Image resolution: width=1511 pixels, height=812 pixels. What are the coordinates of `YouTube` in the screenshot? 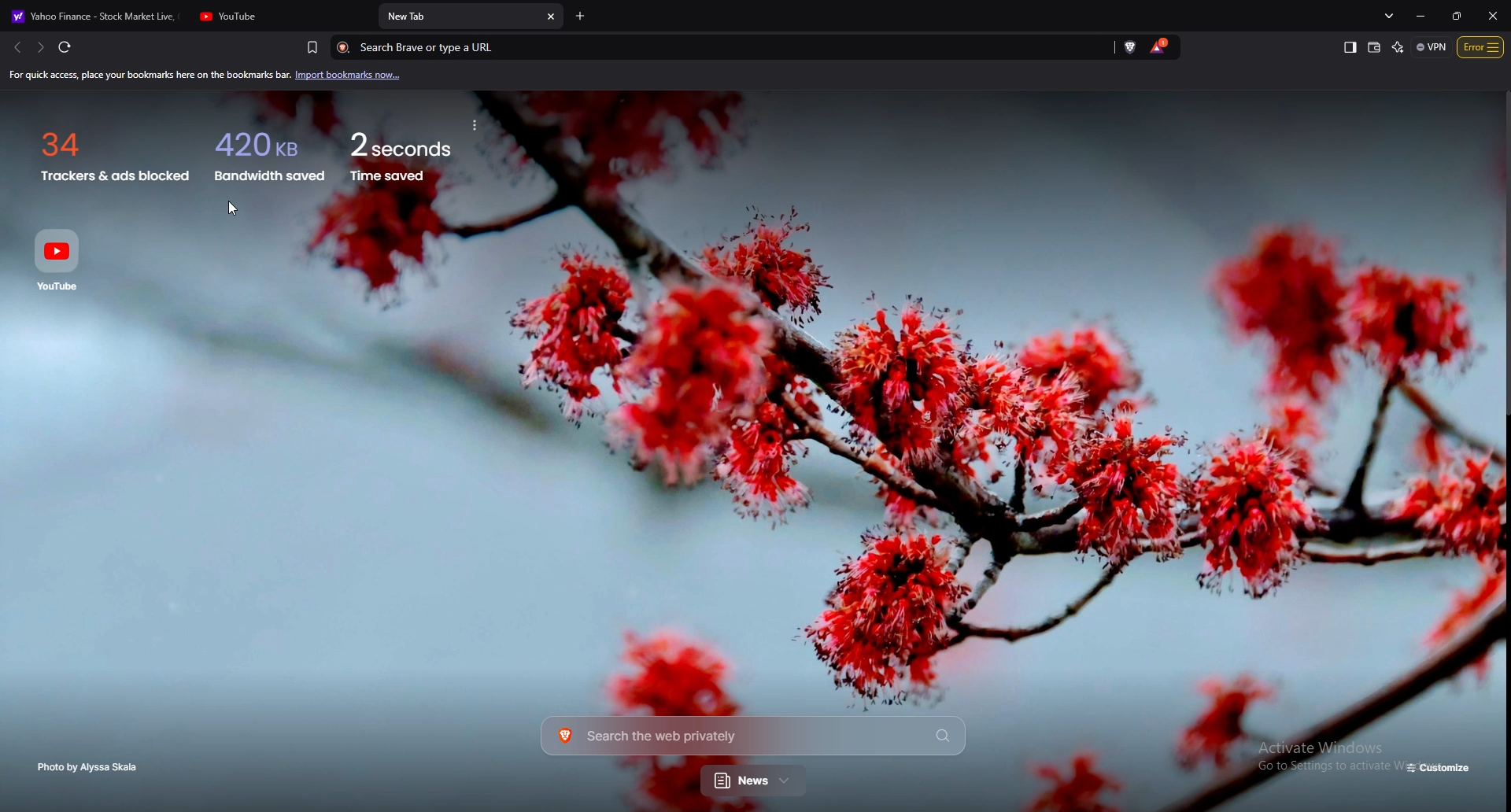 It's located at (272, 17).